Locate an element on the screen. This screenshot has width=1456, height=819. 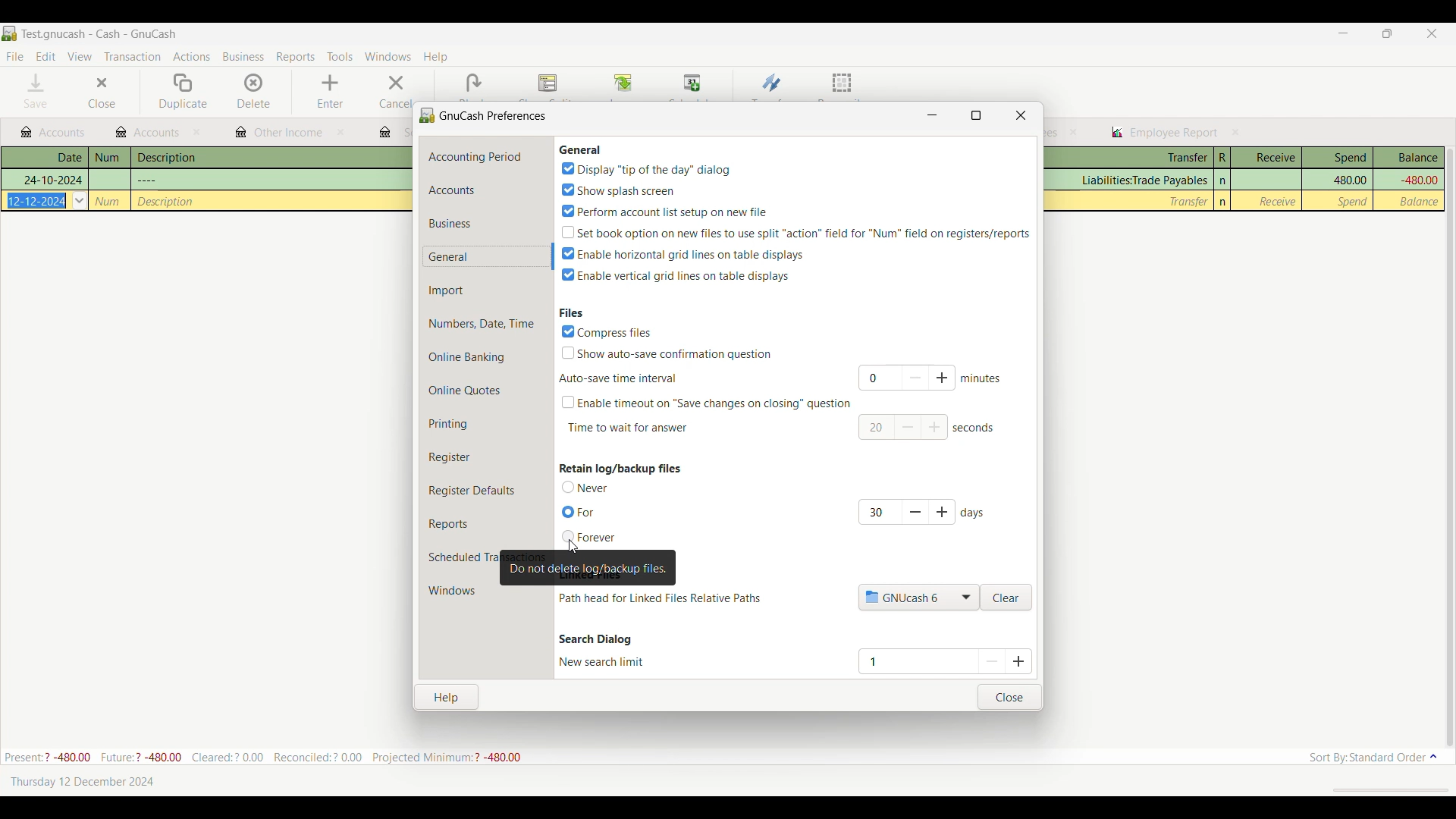
Online banking is located at coordinates (486, 357).